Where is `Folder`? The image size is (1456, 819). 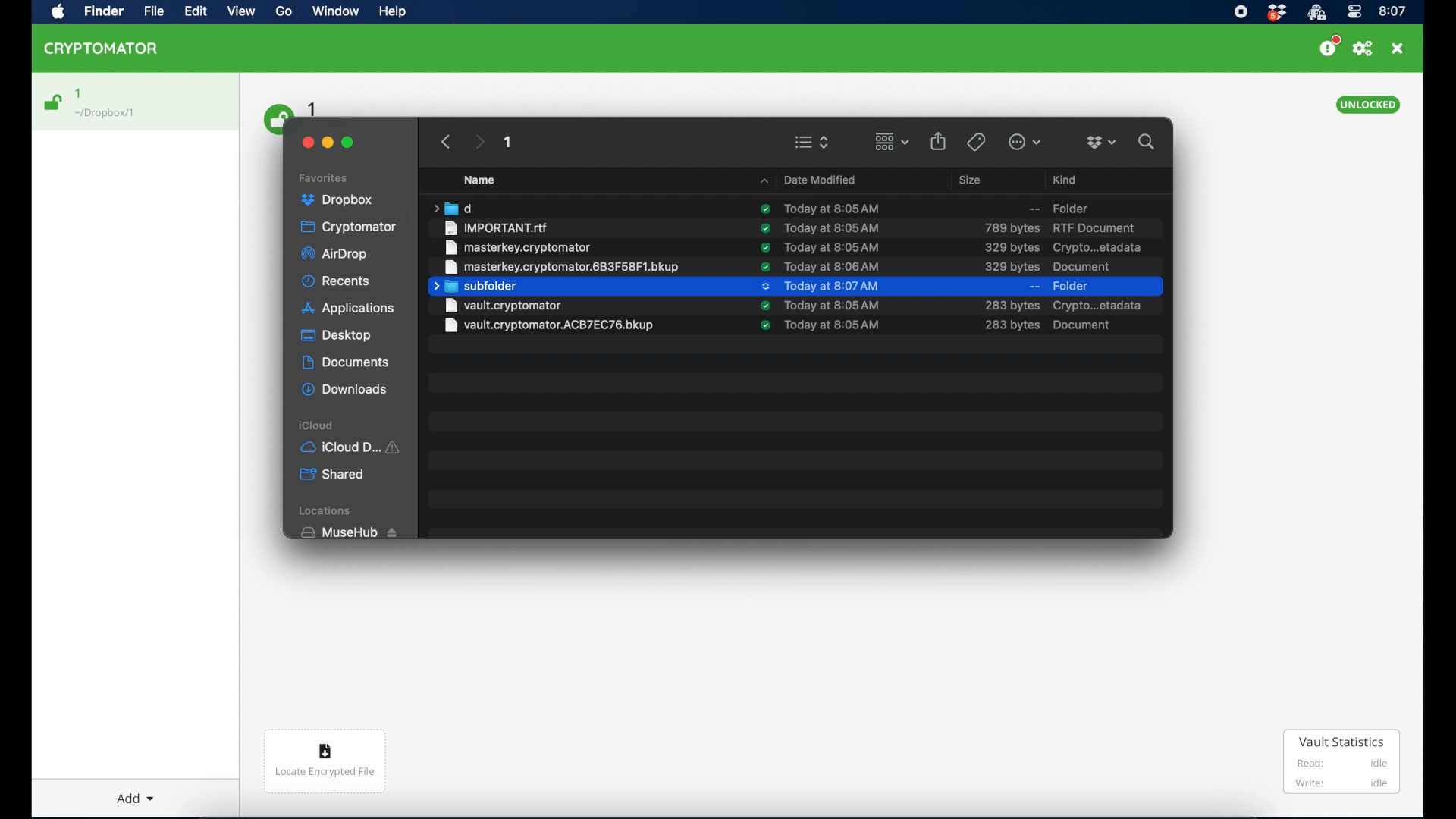
Folder is located at coordinates (1058, 206).